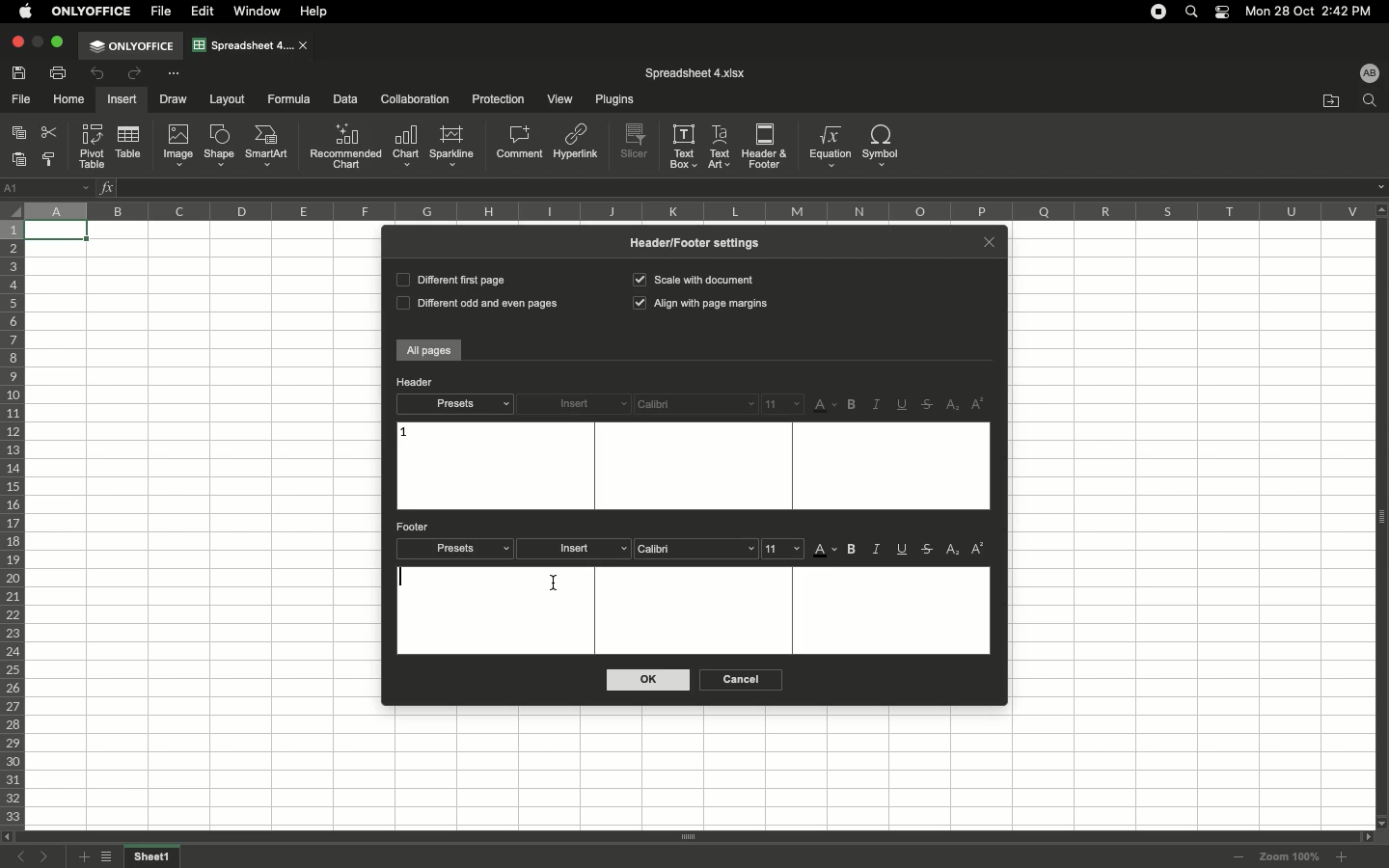  What do you see at coordinates (60, 72) in the screenshot?
I see `Print` at bounding box center [60, 72].